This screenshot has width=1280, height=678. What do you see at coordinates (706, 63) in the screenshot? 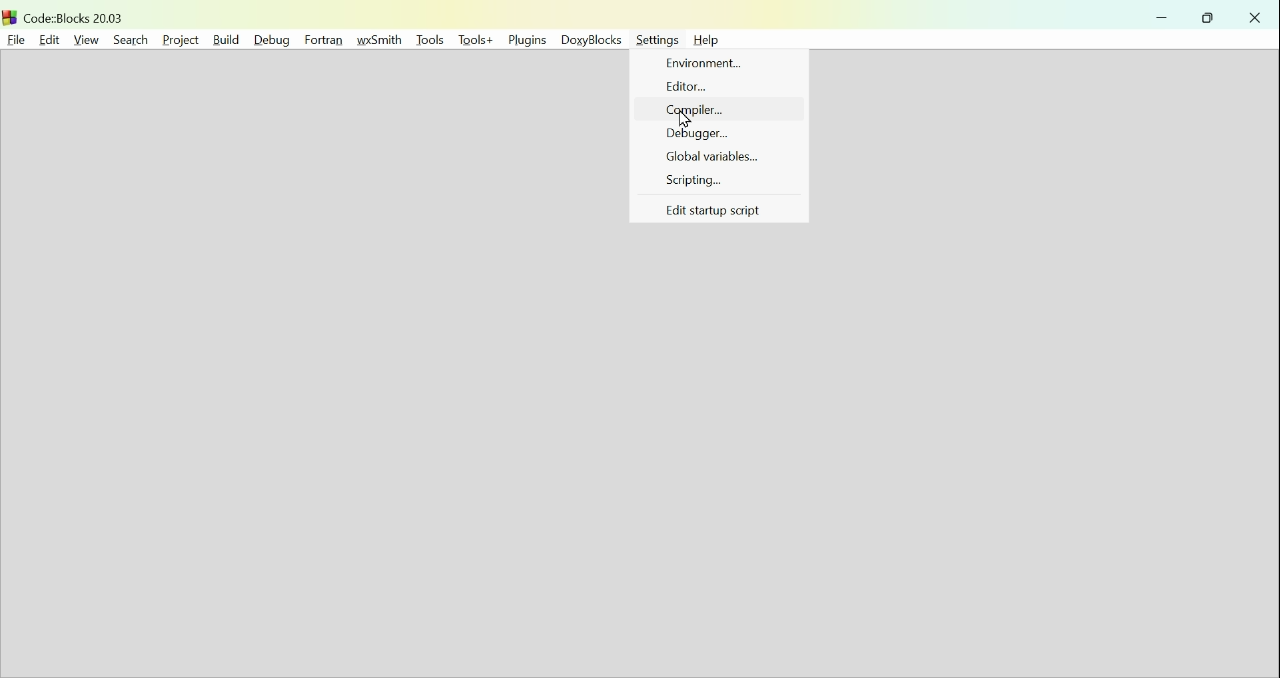
I see `Environment` at bounding box center [706, 63].